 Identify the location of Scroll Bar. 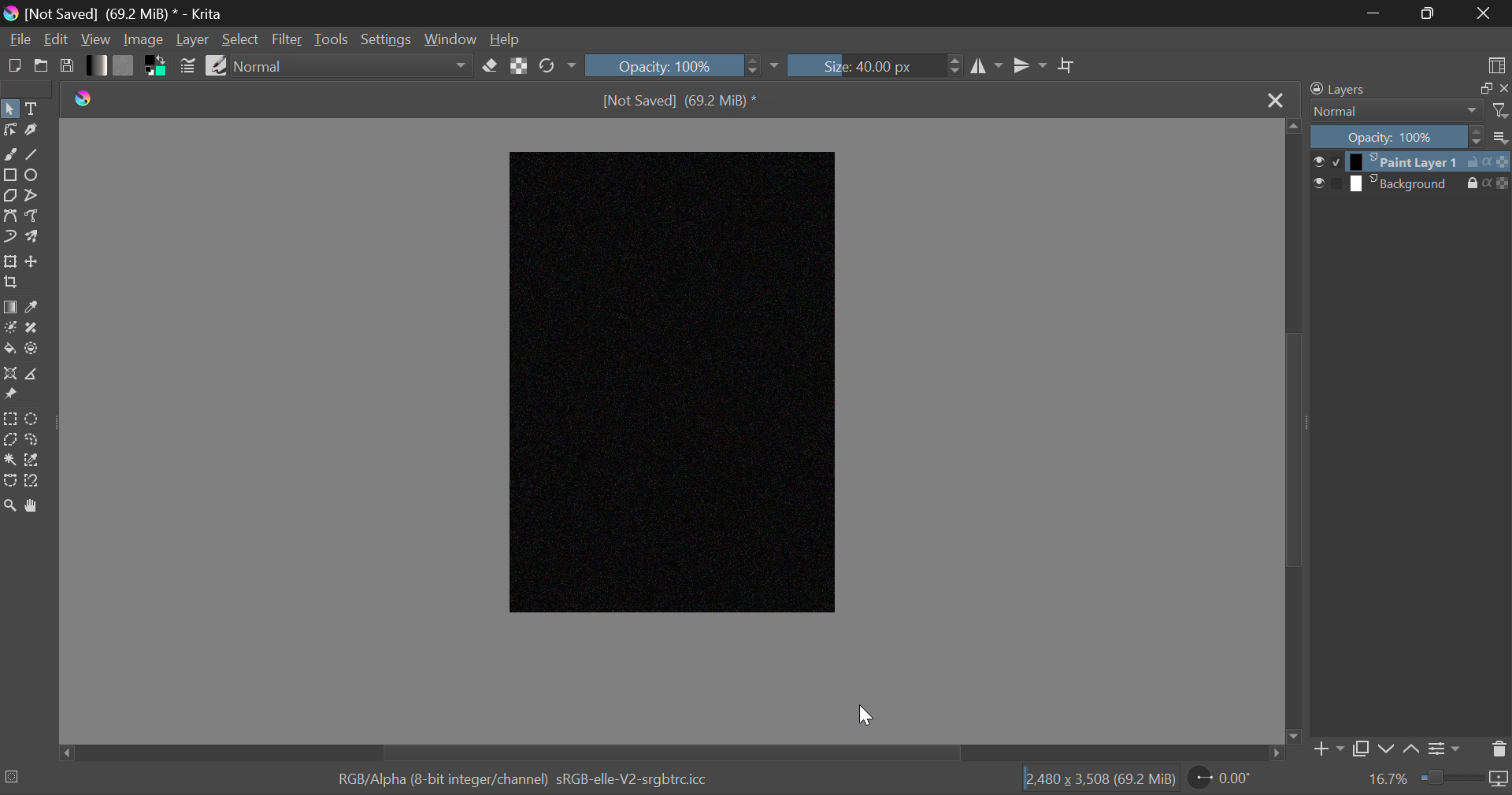
(1293, 429).